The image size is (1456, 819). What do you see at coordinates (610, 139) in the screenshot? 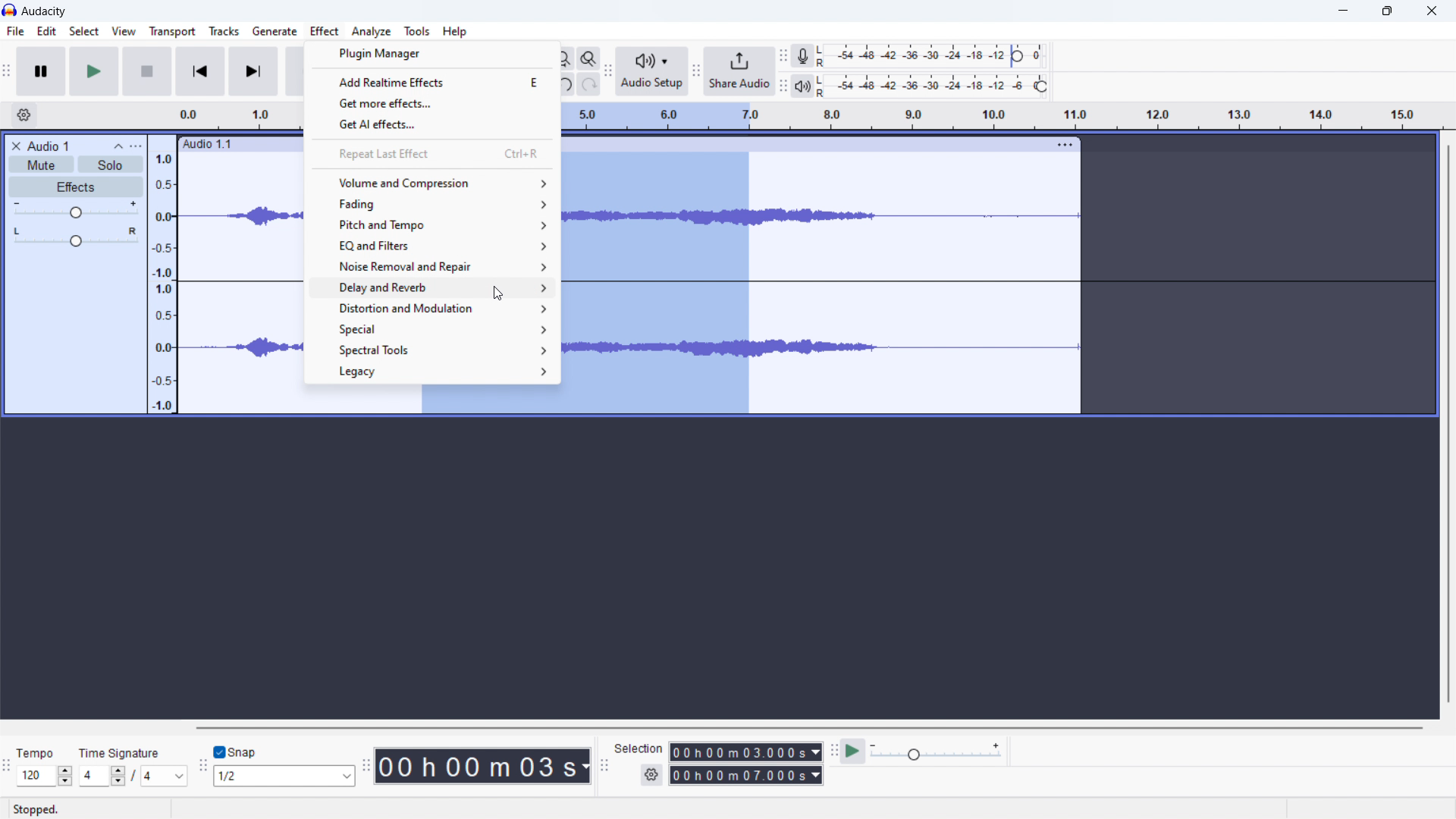
I see `Audio 1.1` at bounding box center [610, 139].